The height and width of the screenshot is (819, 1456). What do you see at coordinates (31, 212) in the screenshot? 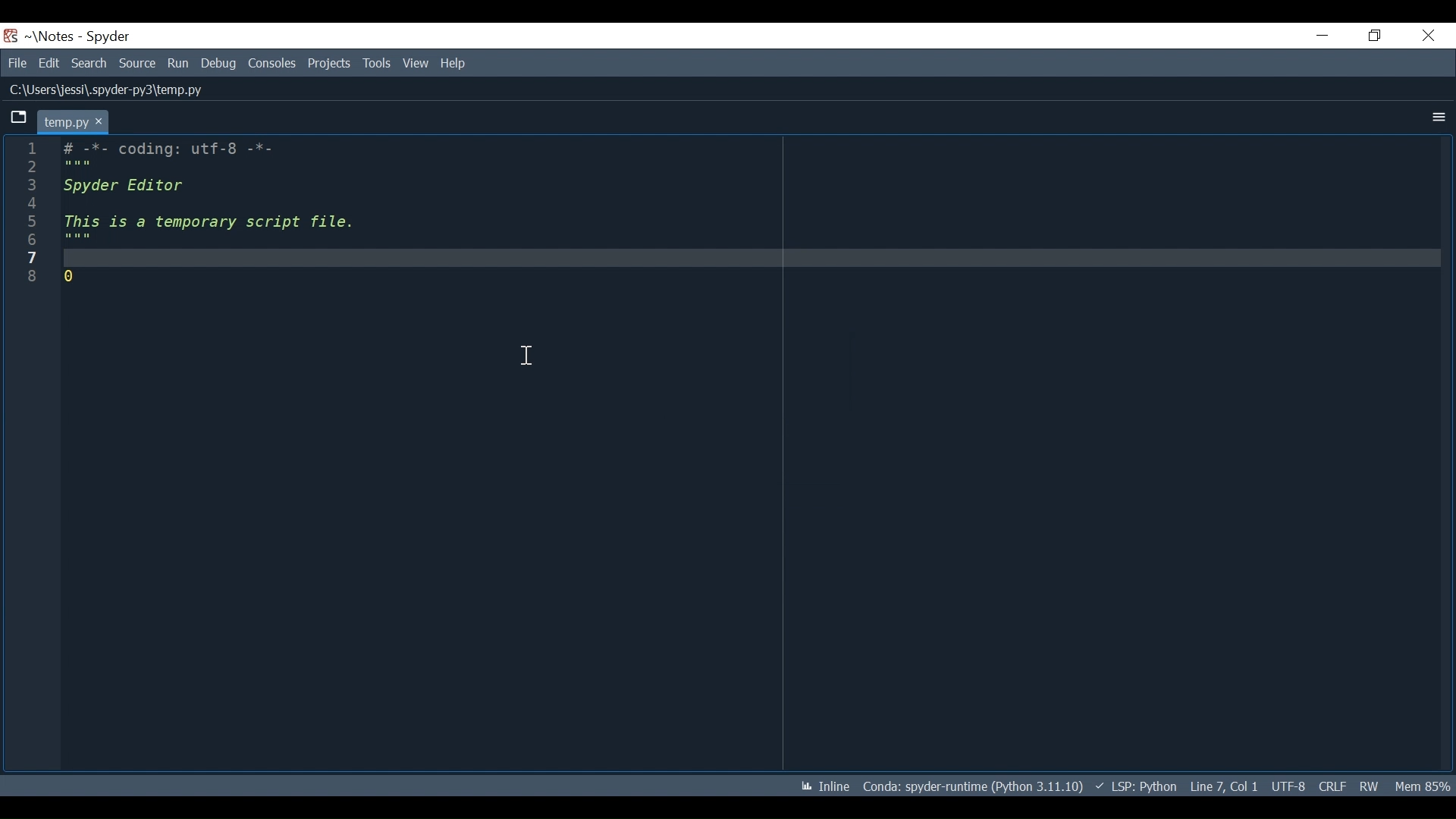
I see `line number` at bounding box center [31, 212].